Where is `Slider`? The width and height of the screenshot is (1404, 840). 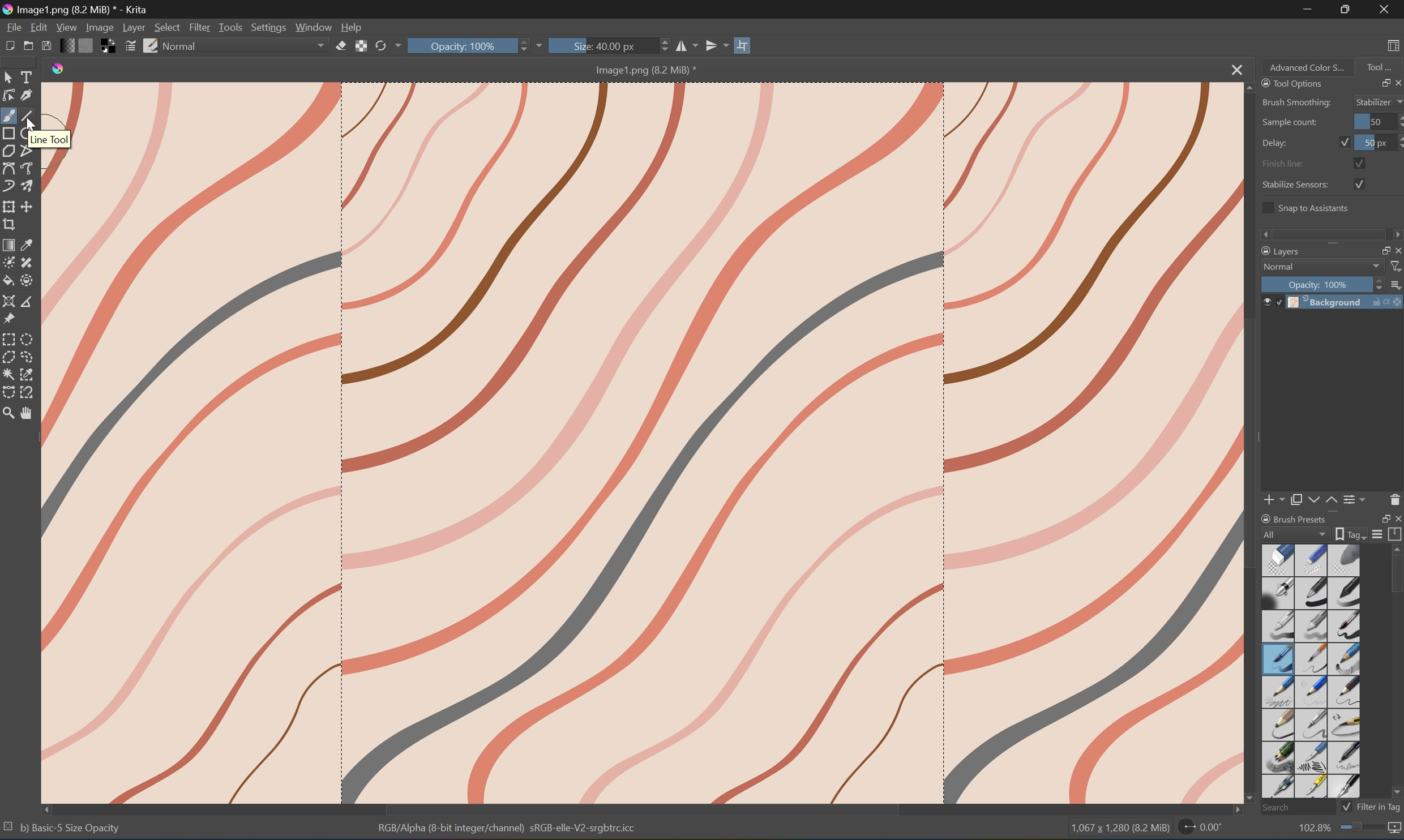 Slider is located at coordinates (661, 46).